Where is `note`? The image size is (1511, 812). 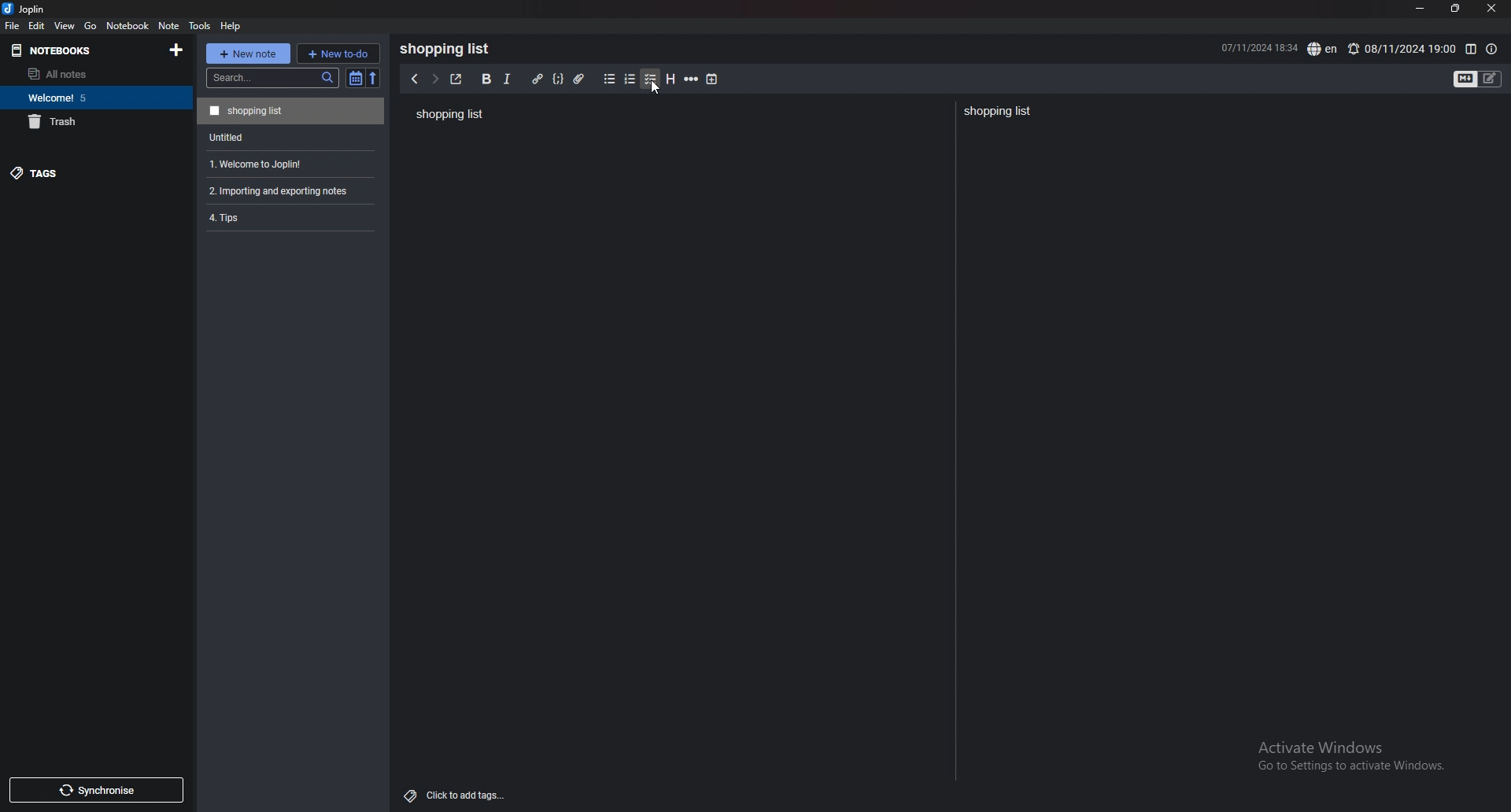 note is located at coordinates (170, 26).